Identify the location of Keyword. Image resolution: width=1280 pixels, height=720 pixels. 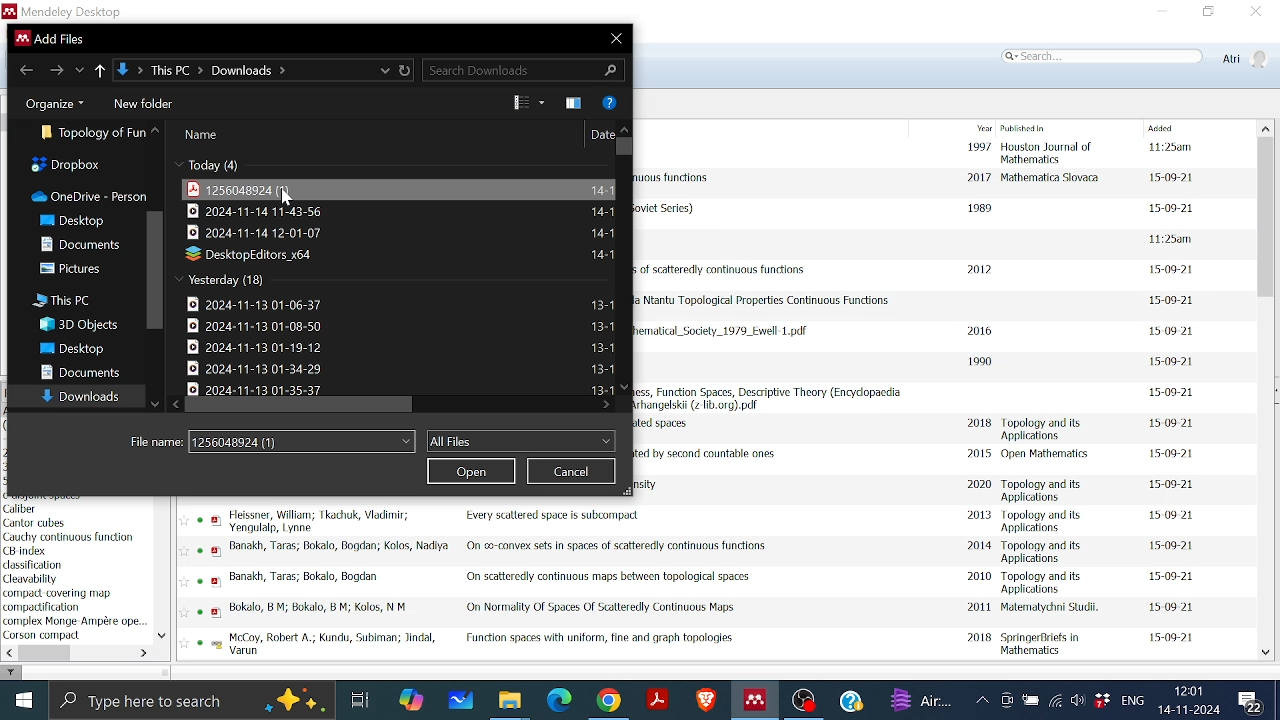
(40, 638).